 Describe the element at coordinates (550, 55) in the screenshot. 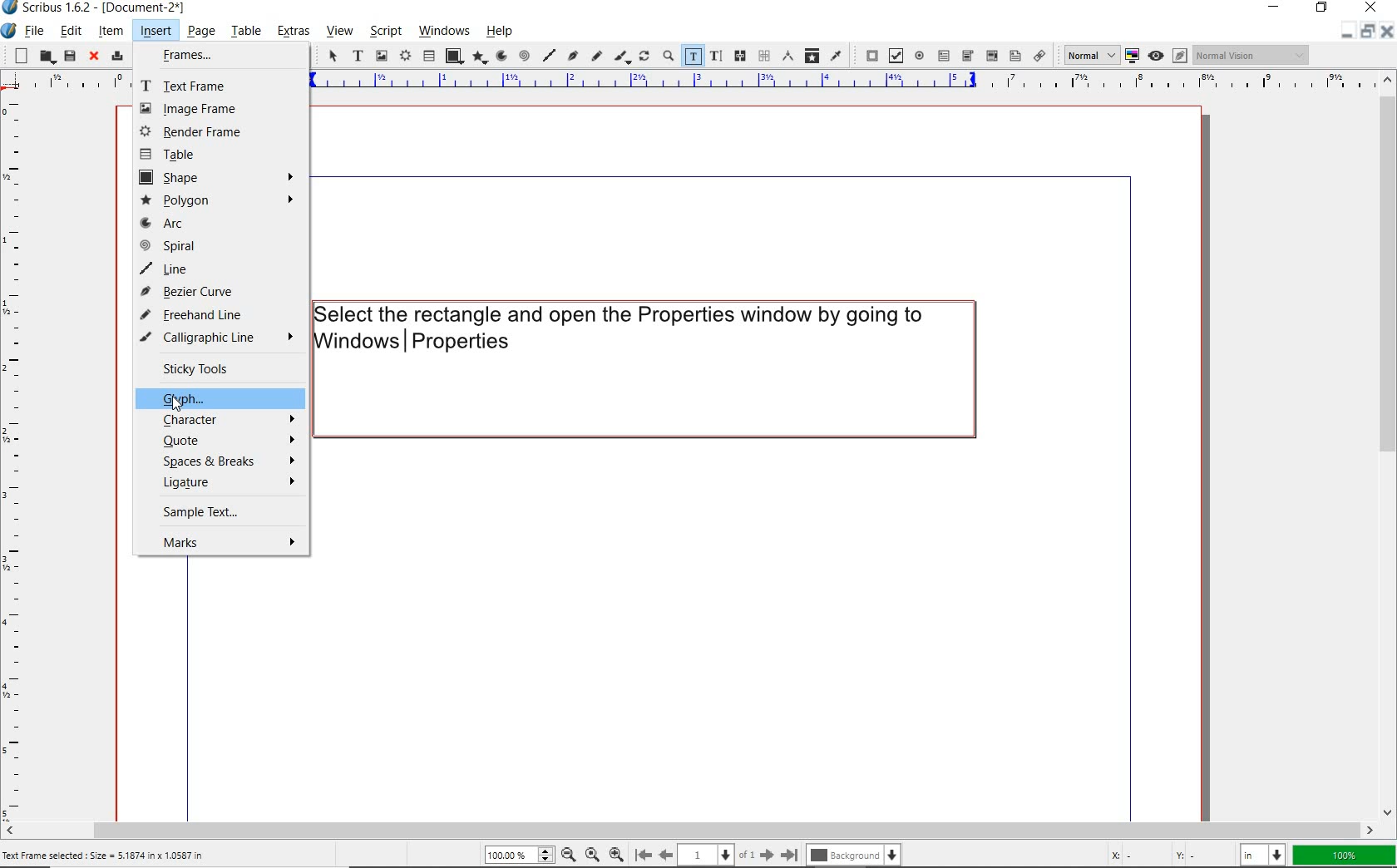

I see `line` at that location.